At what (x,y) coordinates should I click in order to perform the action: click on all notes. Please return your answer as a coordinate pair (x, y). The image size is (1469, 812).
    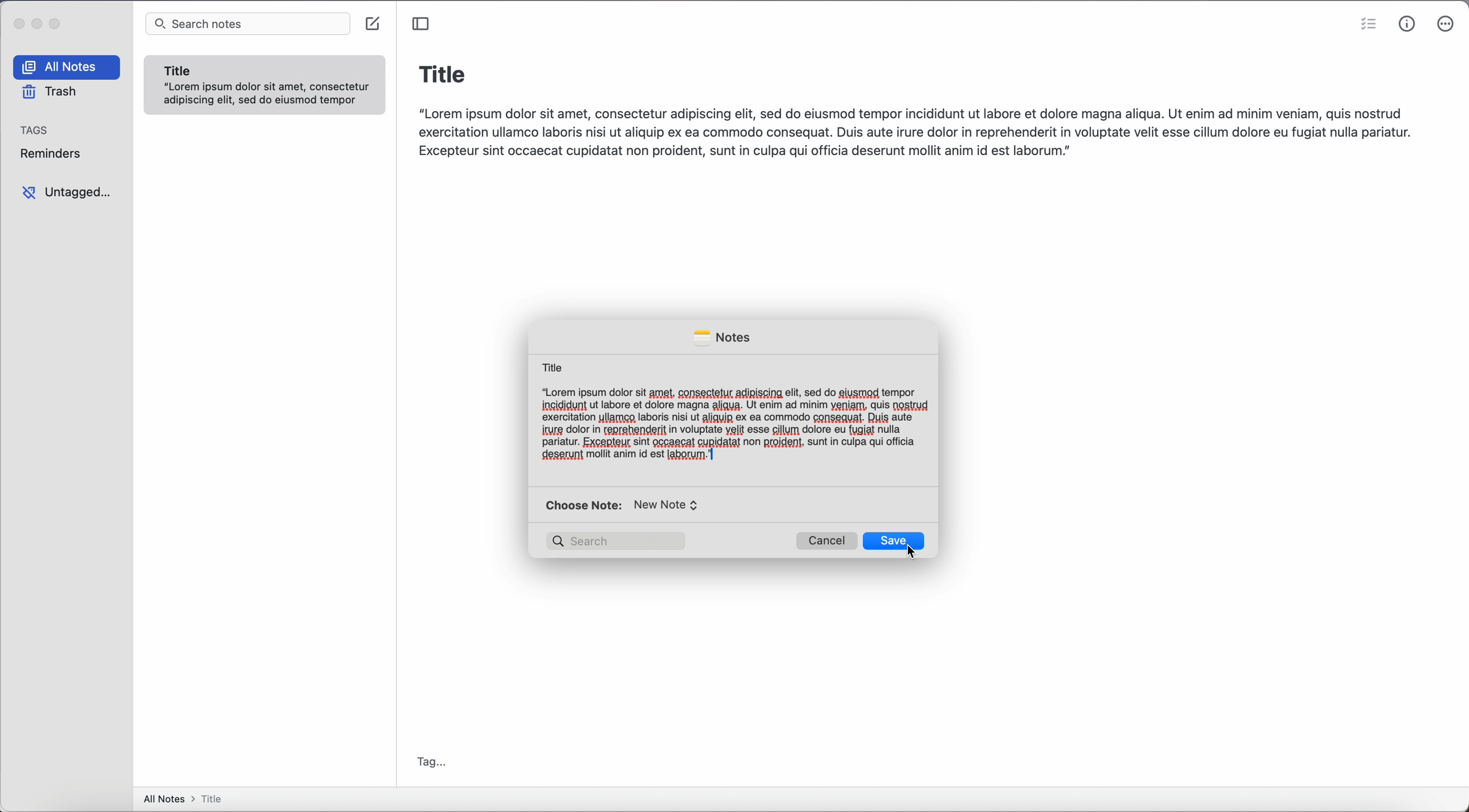
    Looking at the image, I should click on (69, 67).